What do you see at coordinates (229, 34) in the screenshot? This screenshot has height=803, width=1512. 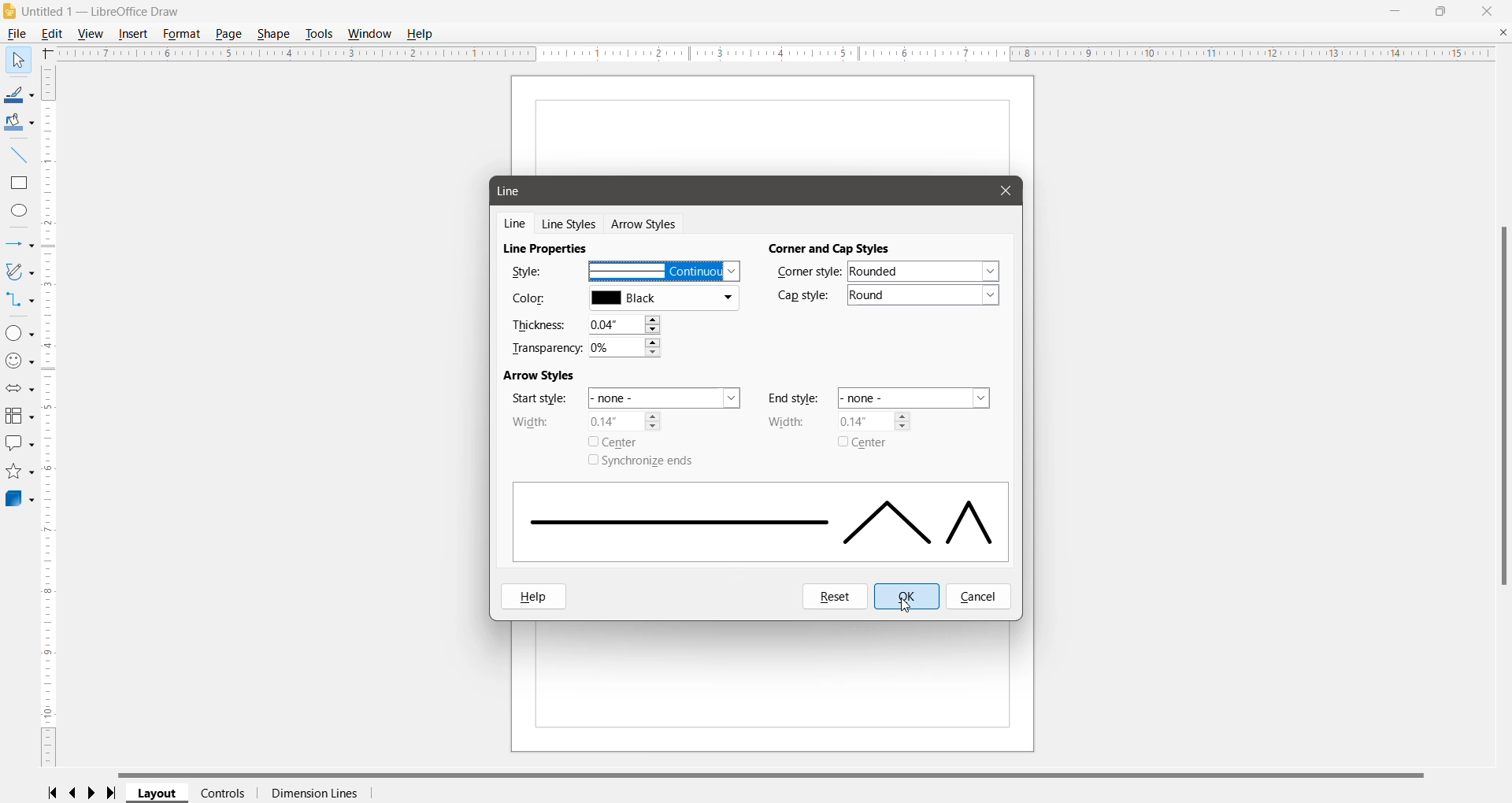 I see `Page` at bounding box center [229, 34].